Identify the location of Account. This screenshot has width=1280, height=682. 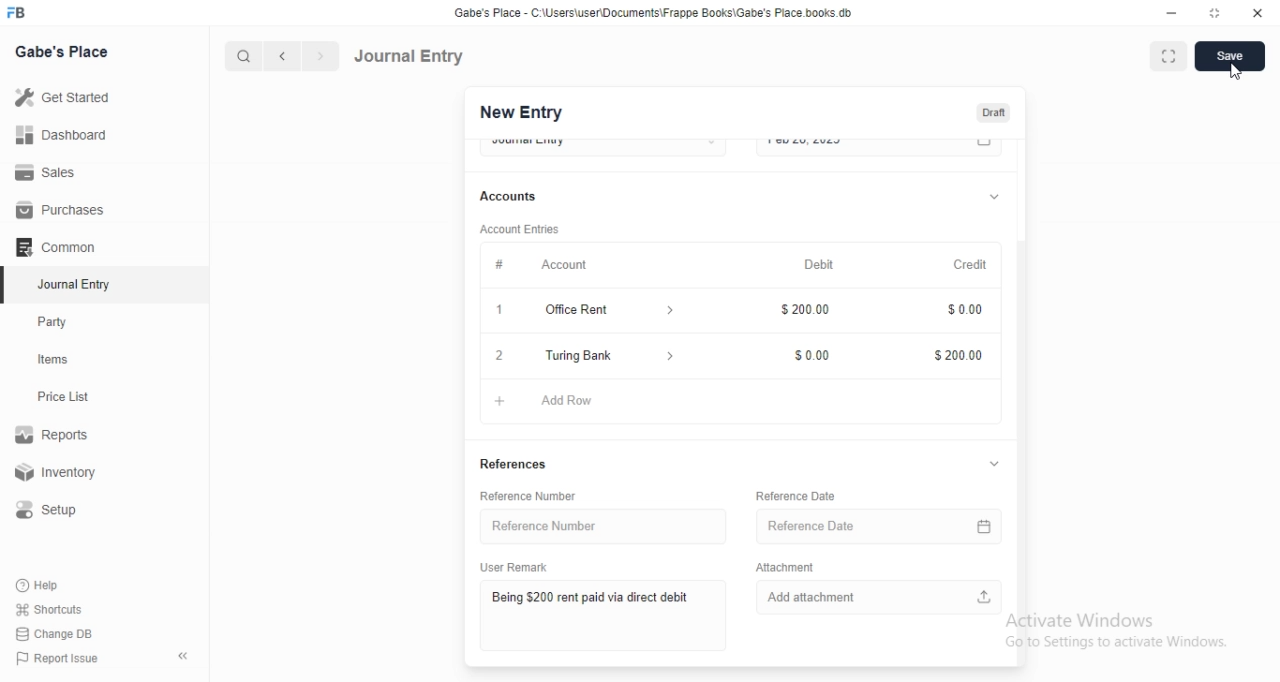
(566, 263).